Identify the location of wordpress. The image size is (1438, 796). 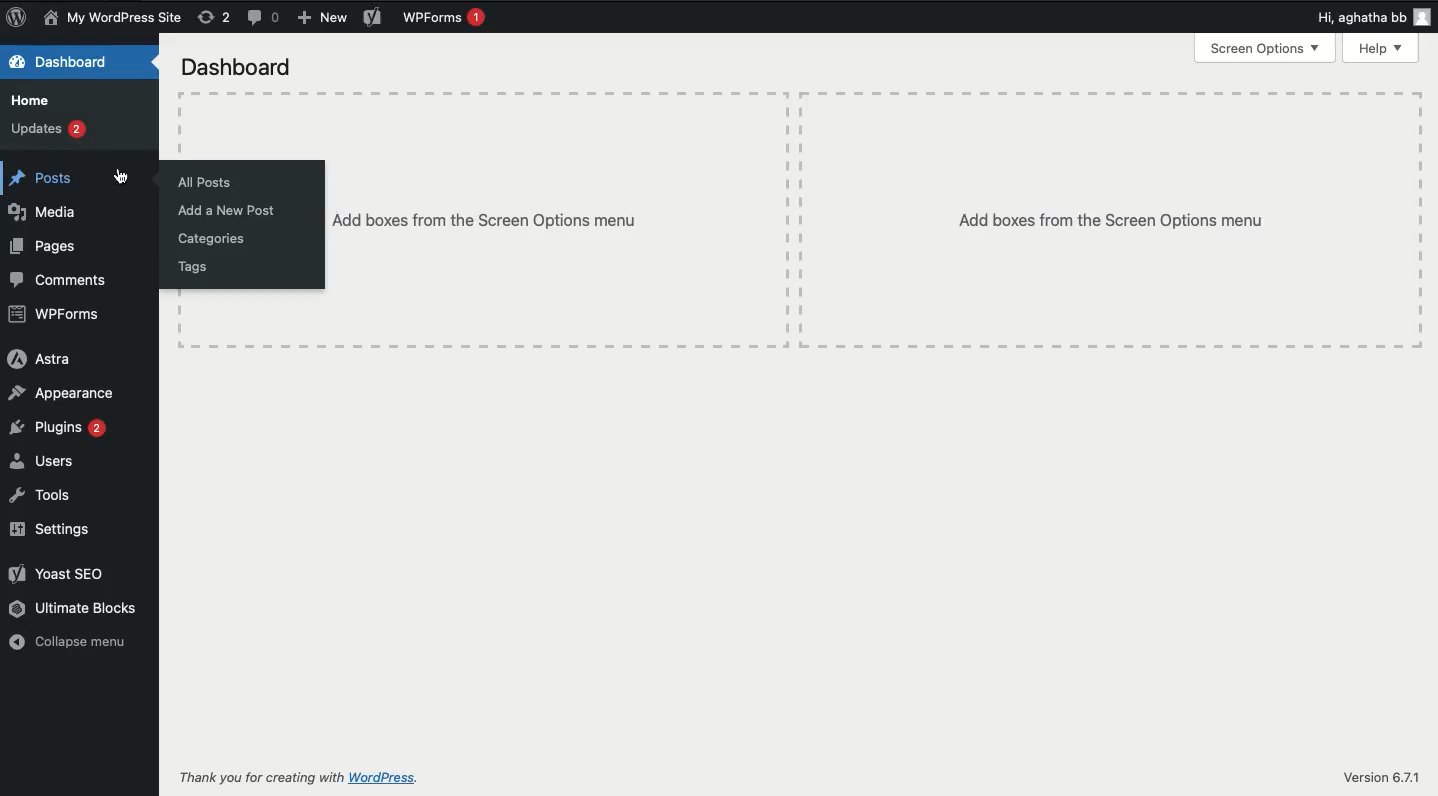
(383, 778).